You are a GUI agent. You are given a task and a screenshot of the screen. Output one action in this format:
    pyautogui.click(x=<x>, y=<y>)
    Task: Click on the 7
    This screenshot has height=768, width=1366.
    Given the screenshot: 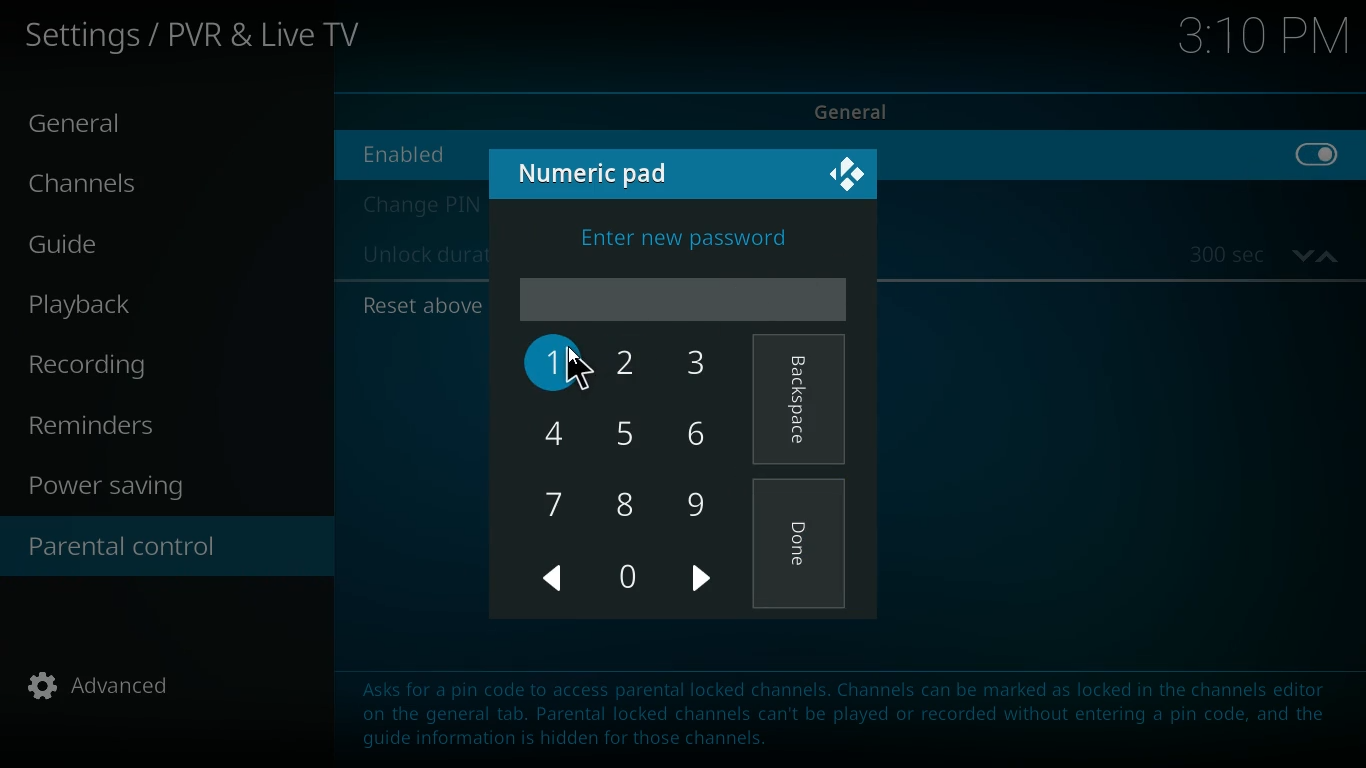 What is the action you would take?
    pyautogui.click(x=553, y=501)
    